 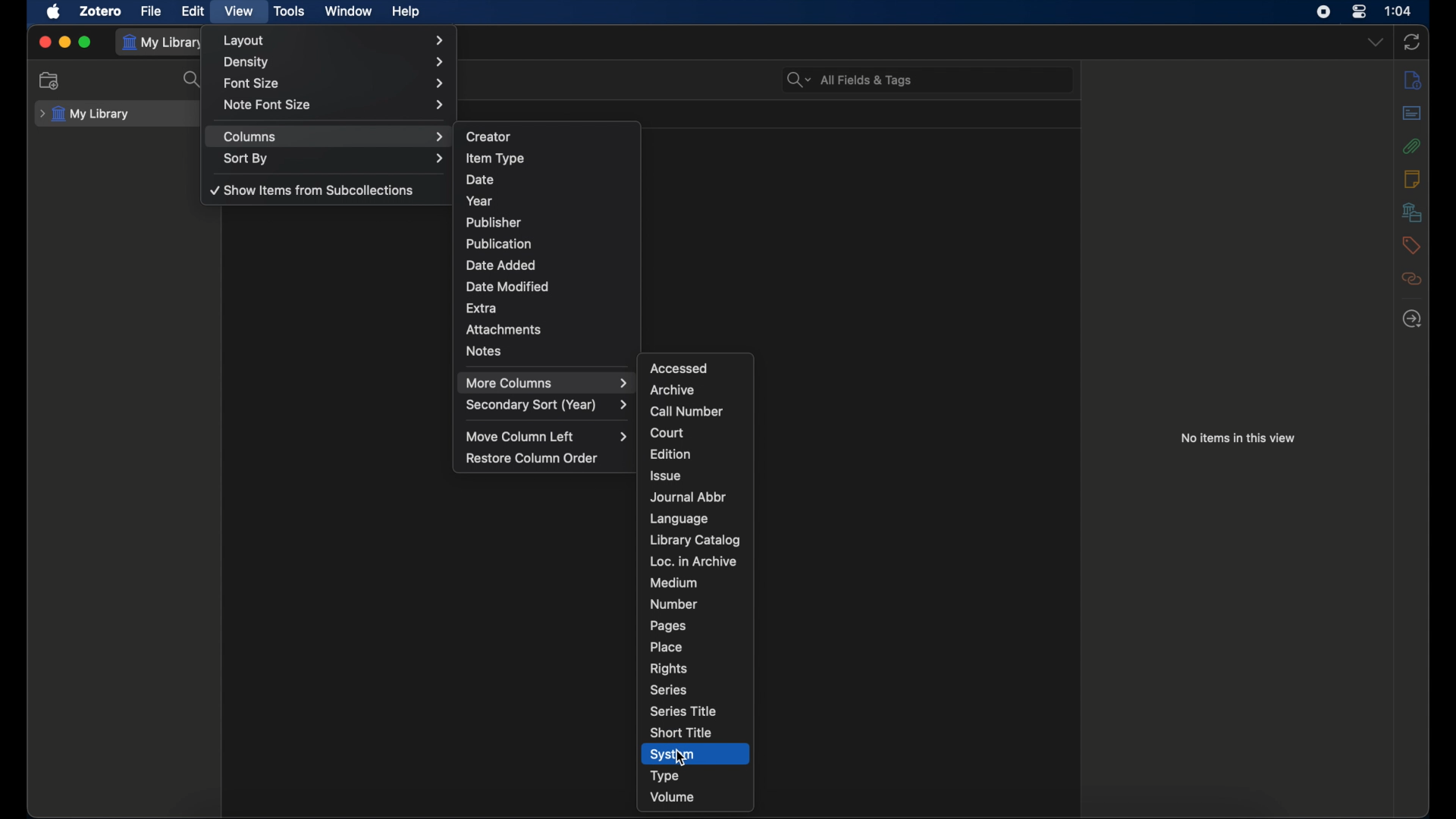 What do you see at coordinates (1412, 212) in the screenshot?
I see `libraries` at bounding box center [1412, 212].